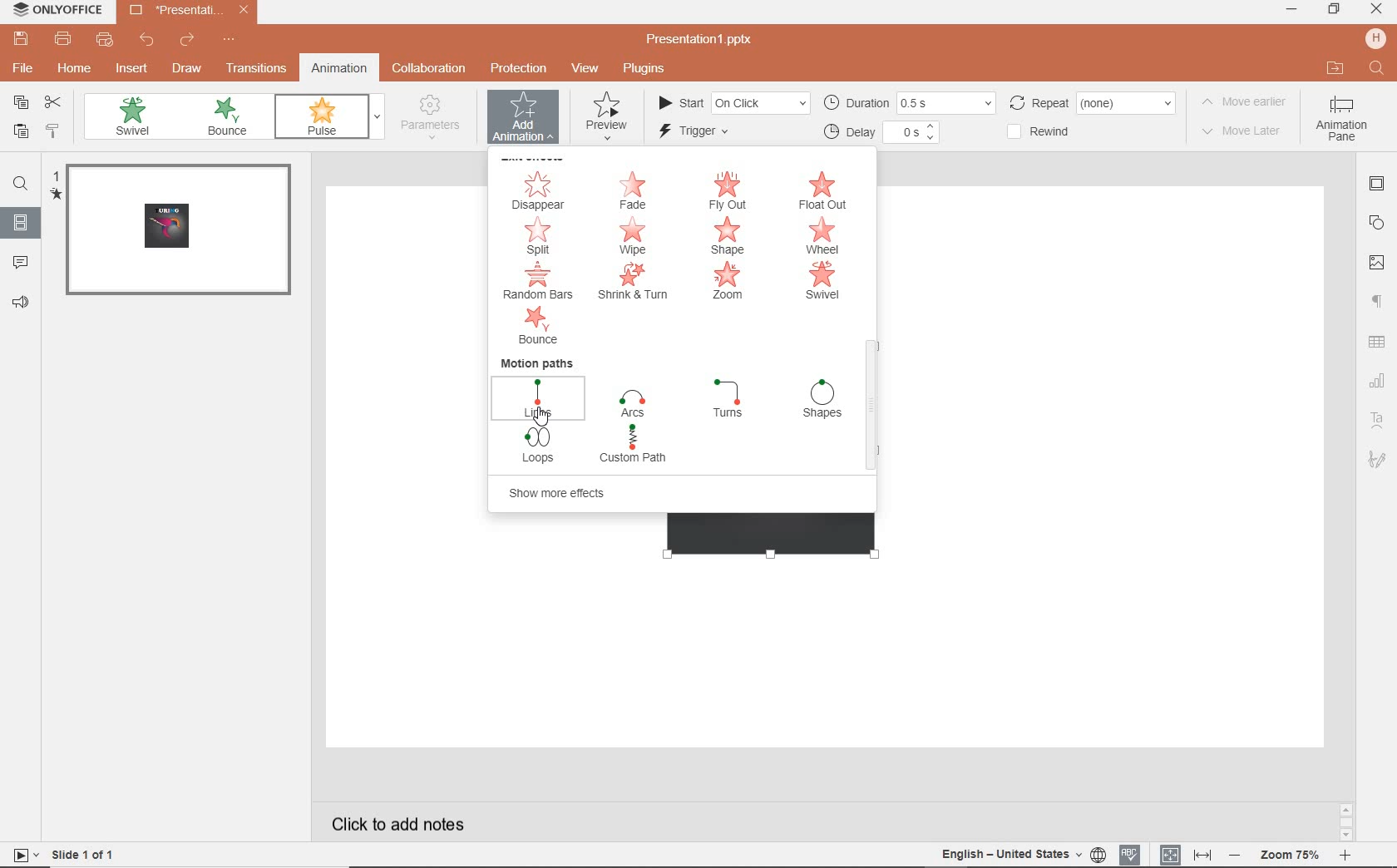 The width and height of the screenshot is (1397, 868). Describe the element at coordinates (73, 856) in the screenshot. I see `slide 1 of 1` at that location.